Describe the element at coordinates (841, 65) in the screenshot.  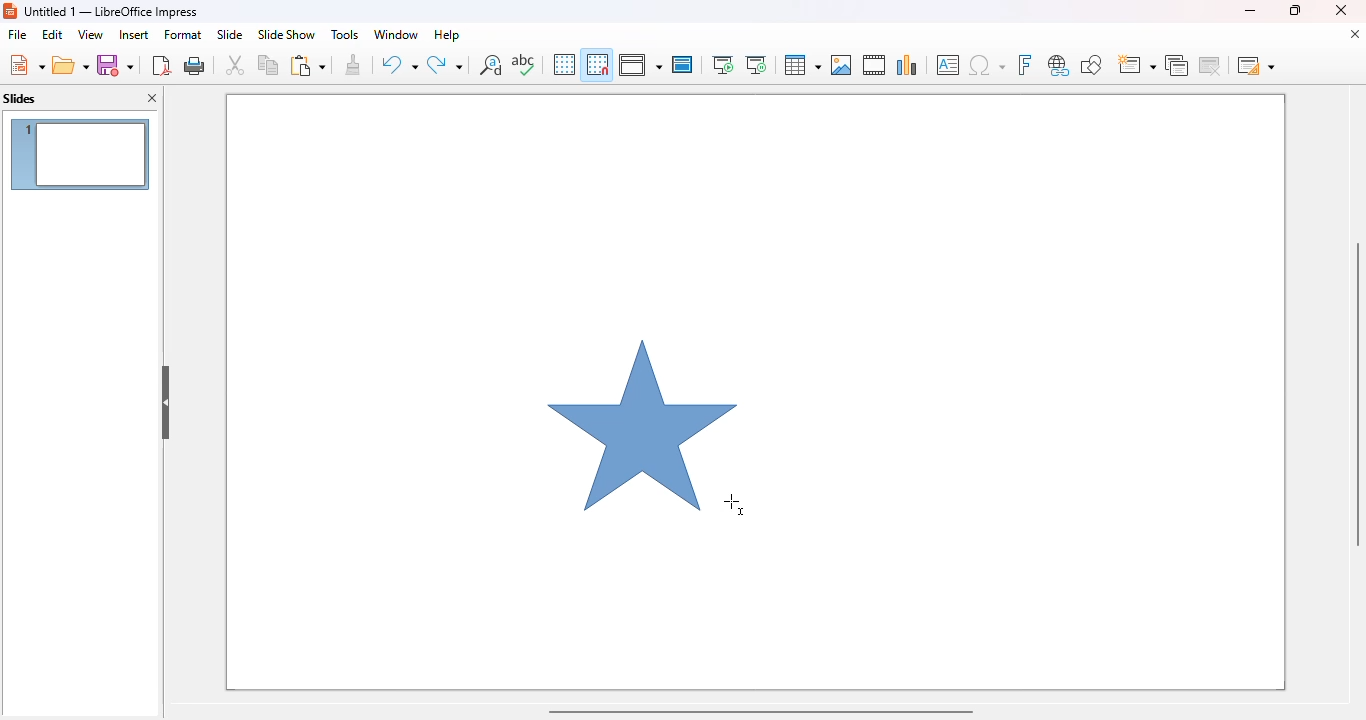
I see `insert image` at that location.